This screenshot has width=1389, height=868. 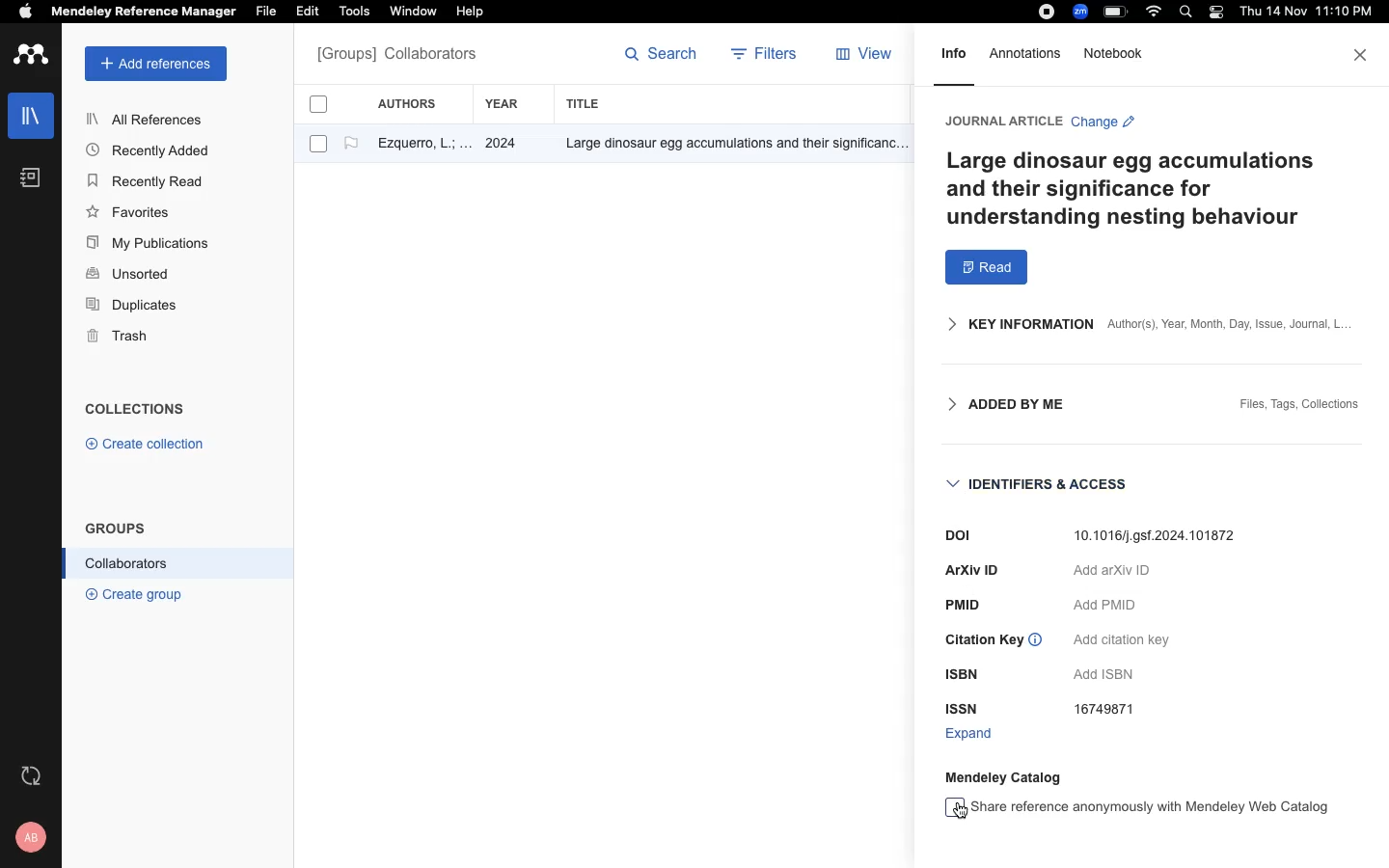 I want to click on Recently Read, so click(x=148, y=181).